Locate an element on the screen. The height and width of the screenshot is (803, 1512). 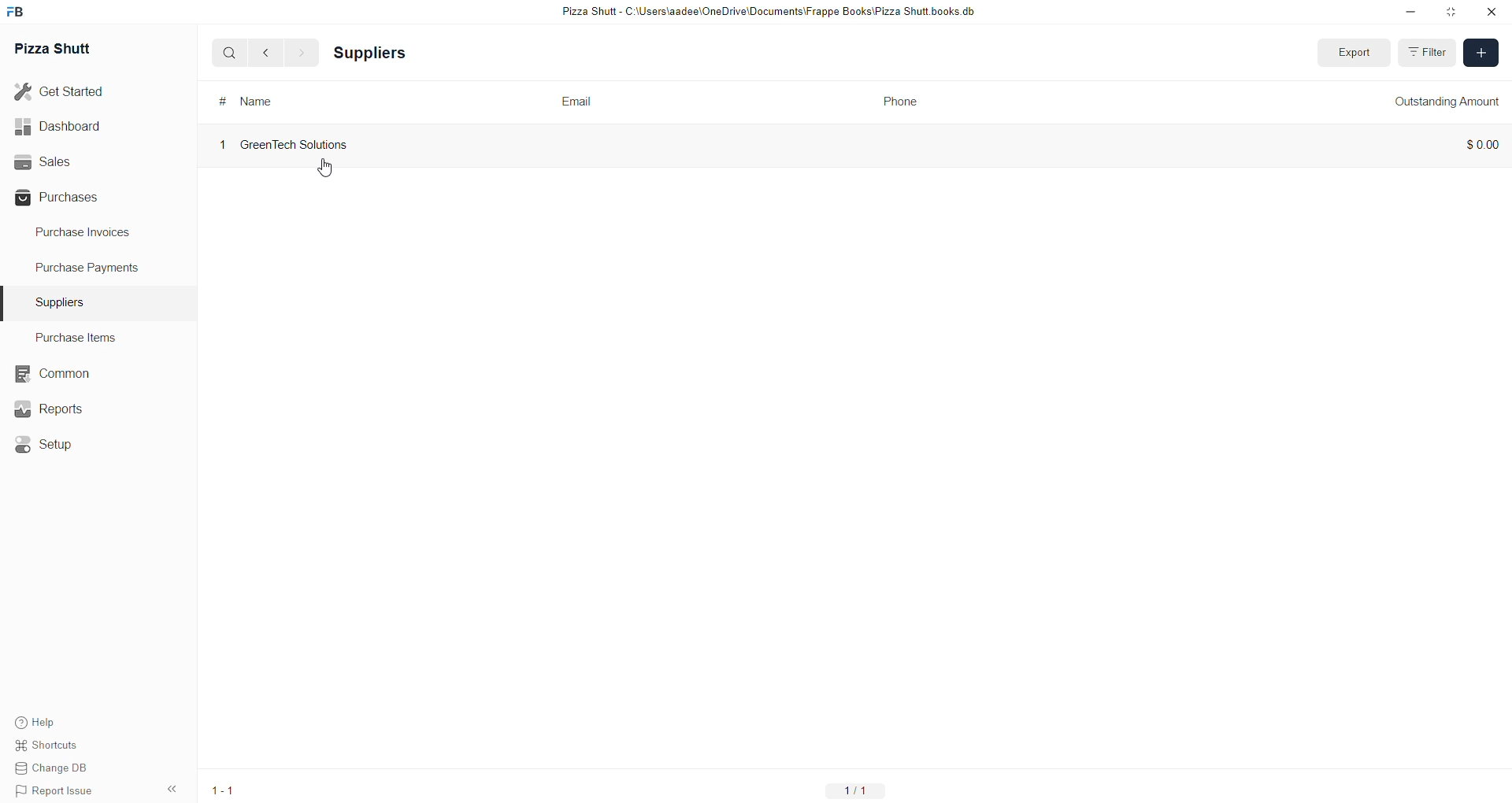
Get Started is located at coordinates (71, 94).